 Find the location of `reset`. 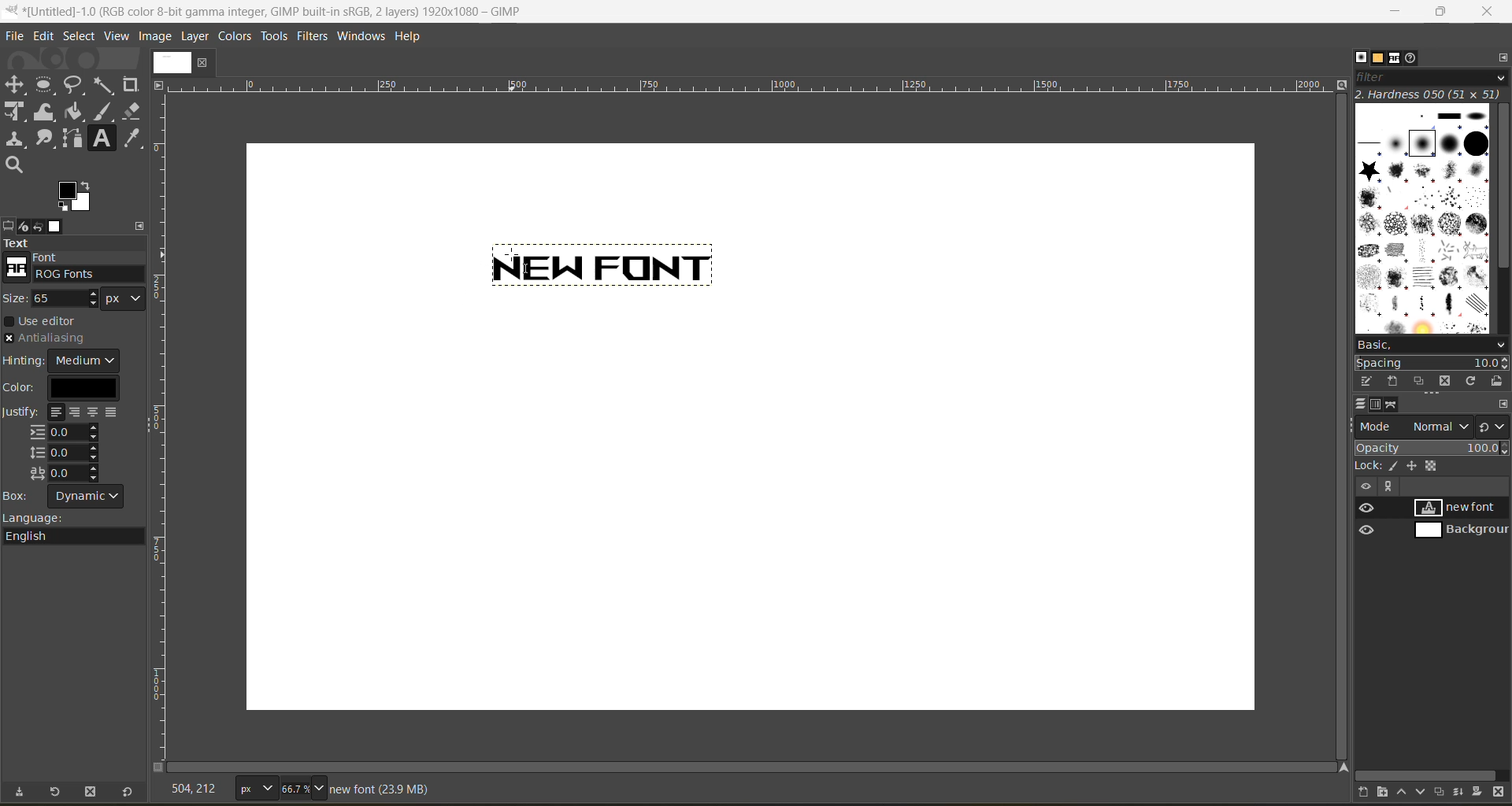

reset is located at coordinates (132, 790).